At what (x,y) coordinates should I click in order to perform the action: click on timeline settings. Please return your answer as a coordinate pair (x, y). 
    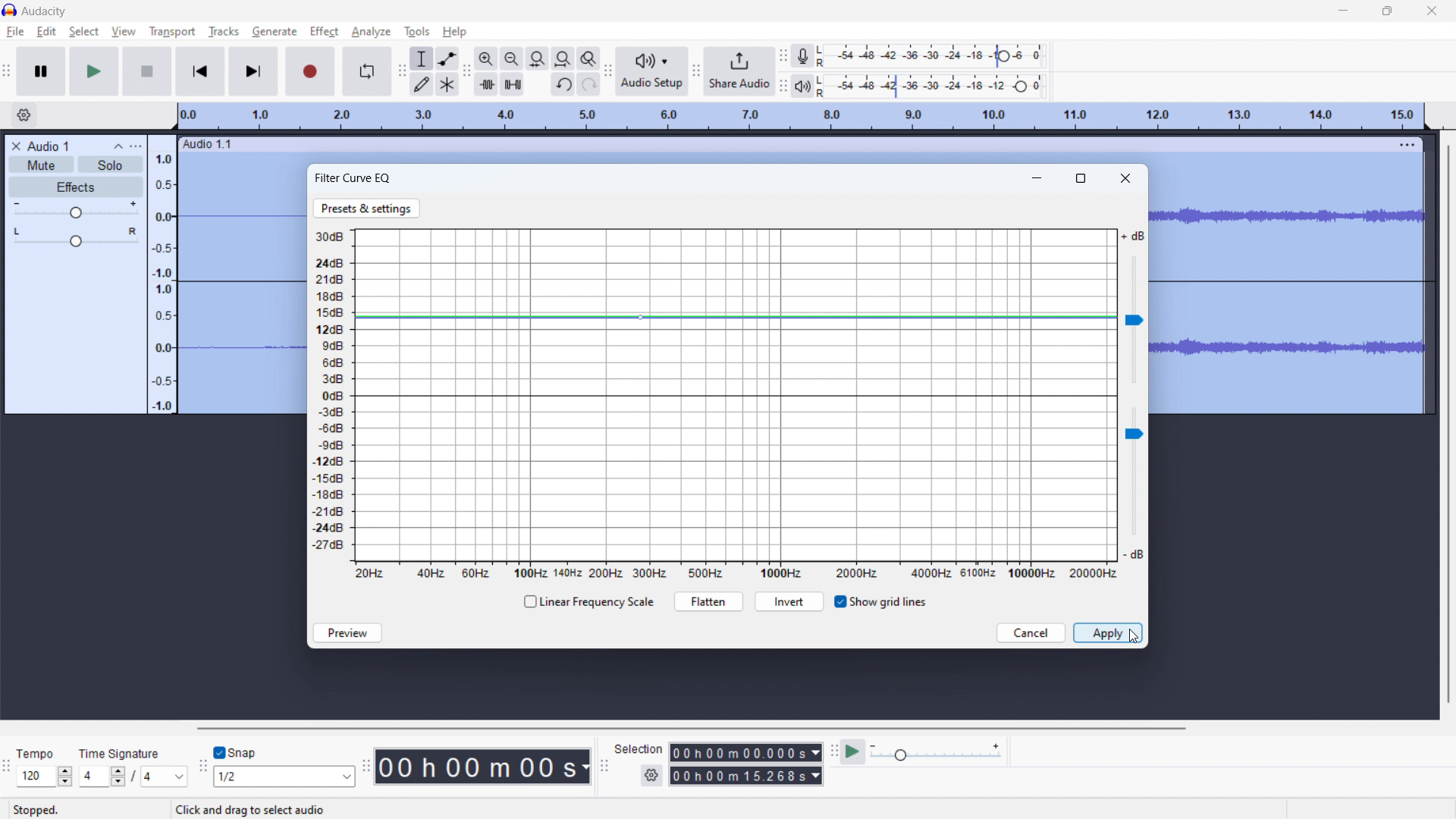
    Looking at the image, I should click on (24, 115).